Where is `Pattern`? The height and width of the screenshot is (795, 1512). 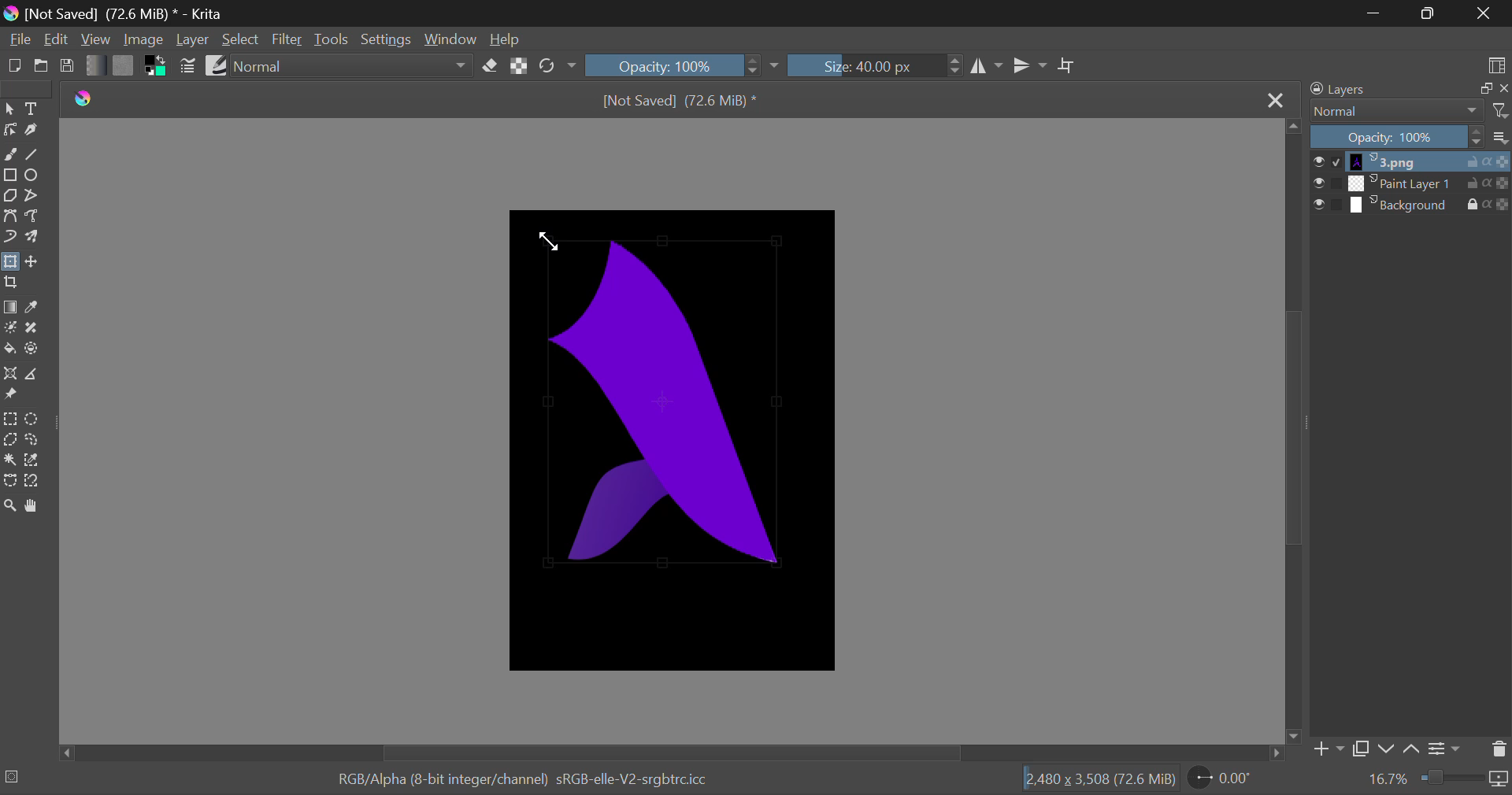 Pattern is located at coordinates (123, 65).